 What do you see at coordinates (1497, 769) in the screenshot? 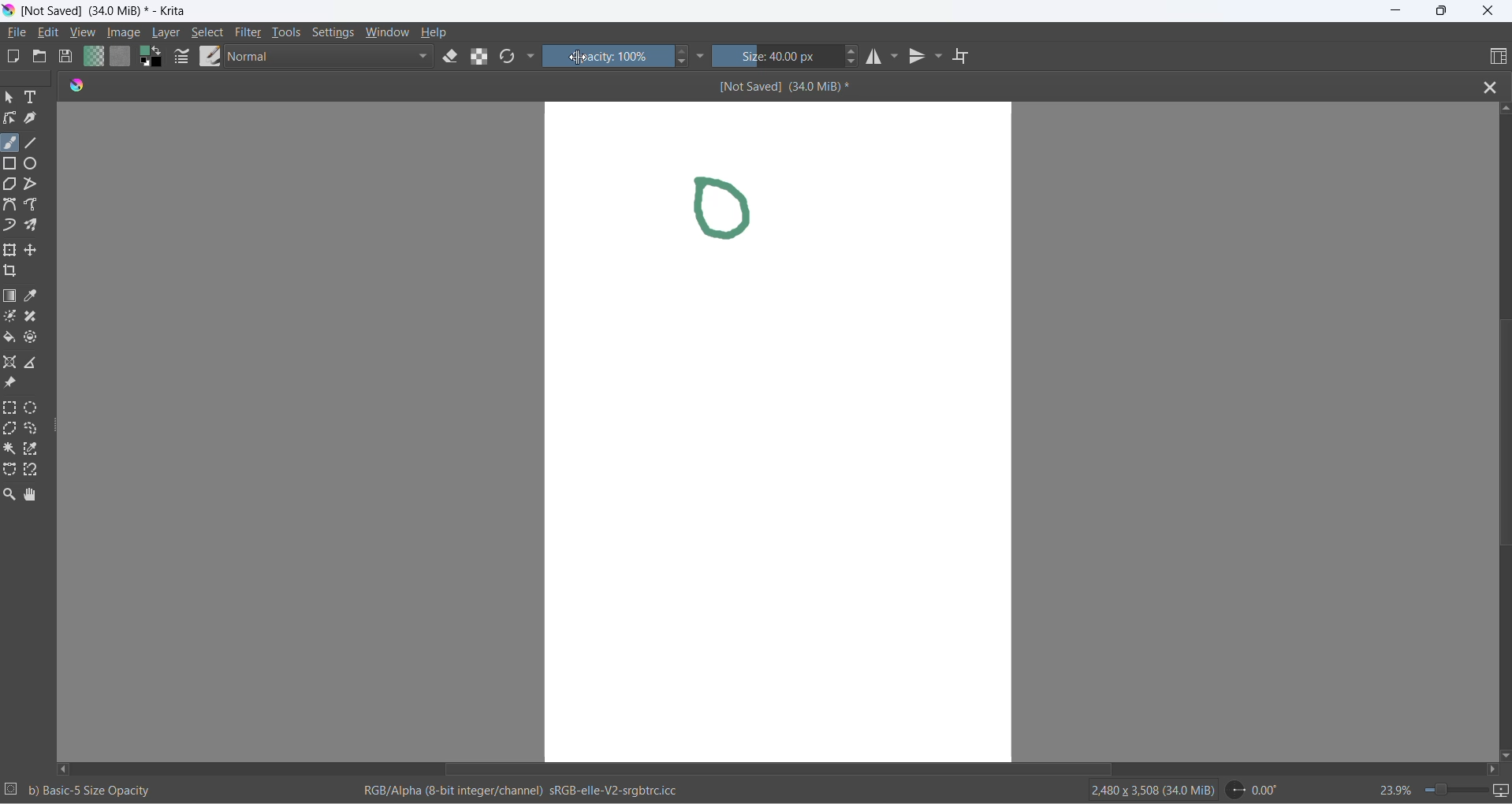
I see `scroll right button` at bounding box center [1497, 769].